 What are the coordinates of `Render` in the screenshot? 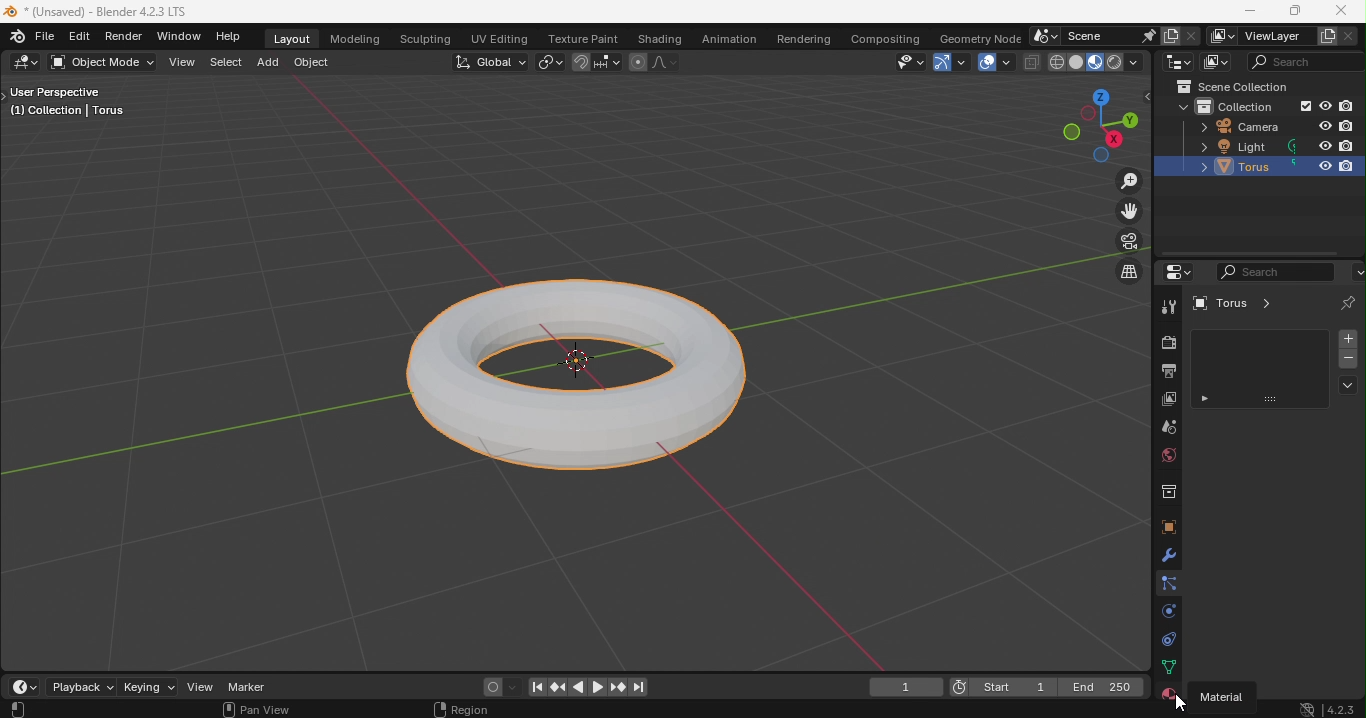 It's located at (1164, 343).